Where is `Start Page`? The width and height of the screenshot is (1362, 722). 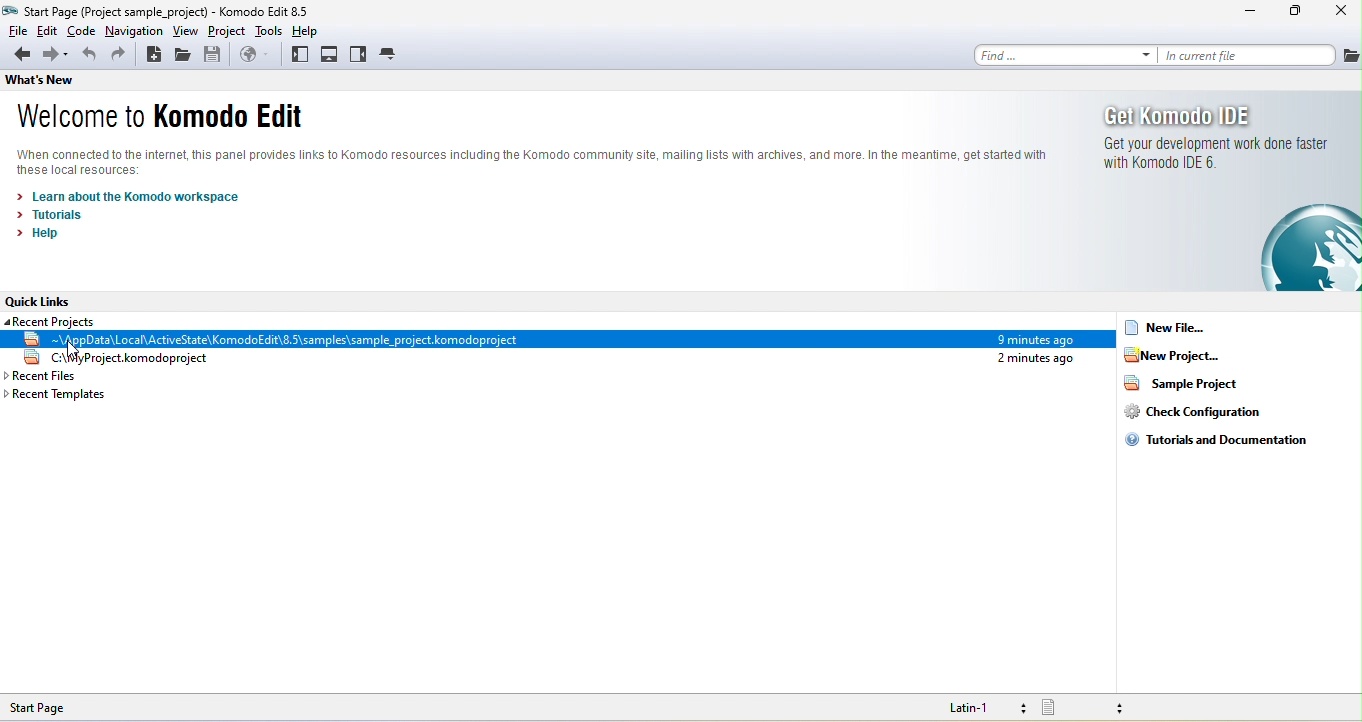
Start Page is located at coordinates (56, 706).